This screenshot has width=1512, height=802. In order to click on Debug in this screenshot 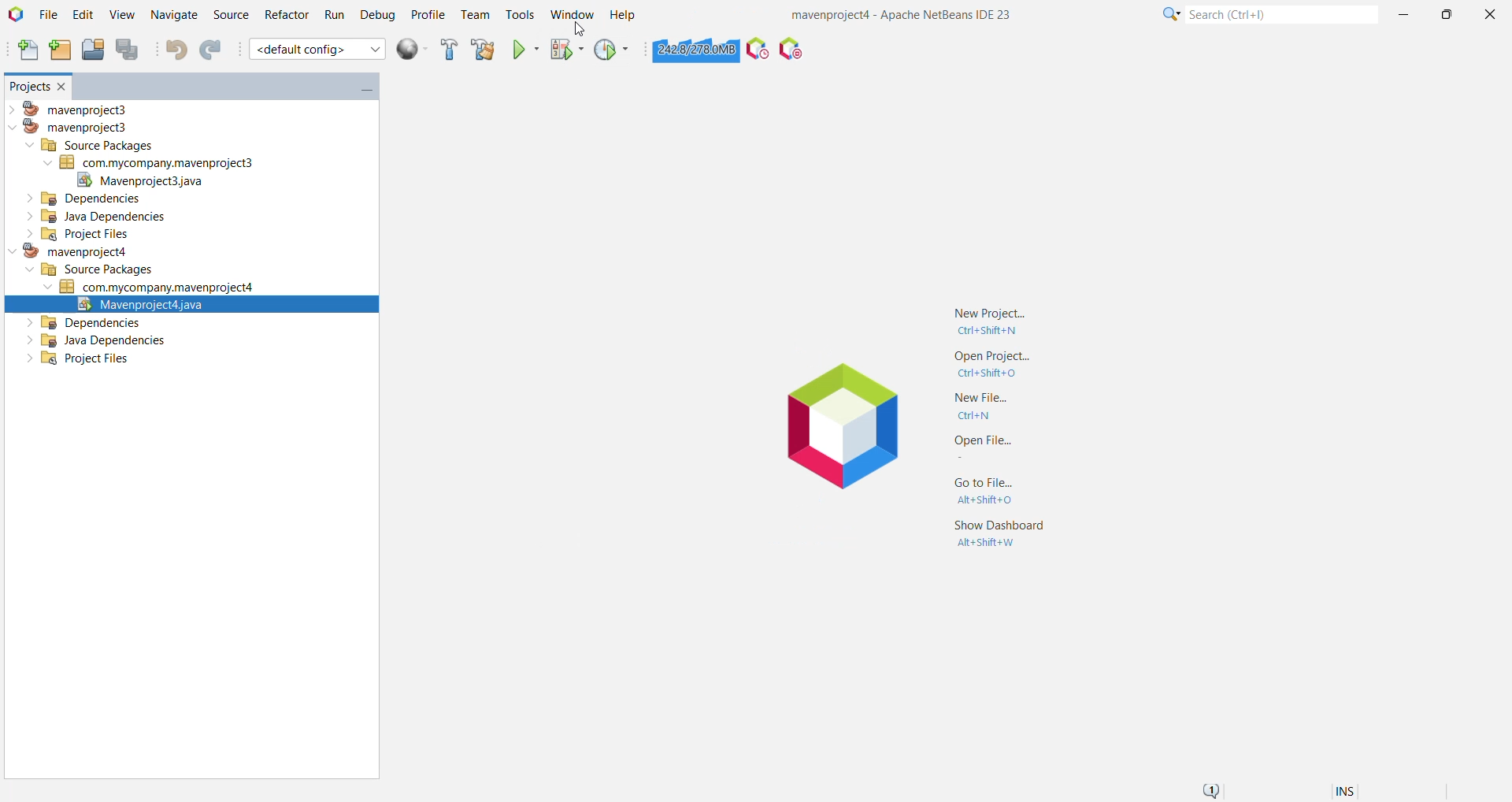, I will do `click(377, 16)`.